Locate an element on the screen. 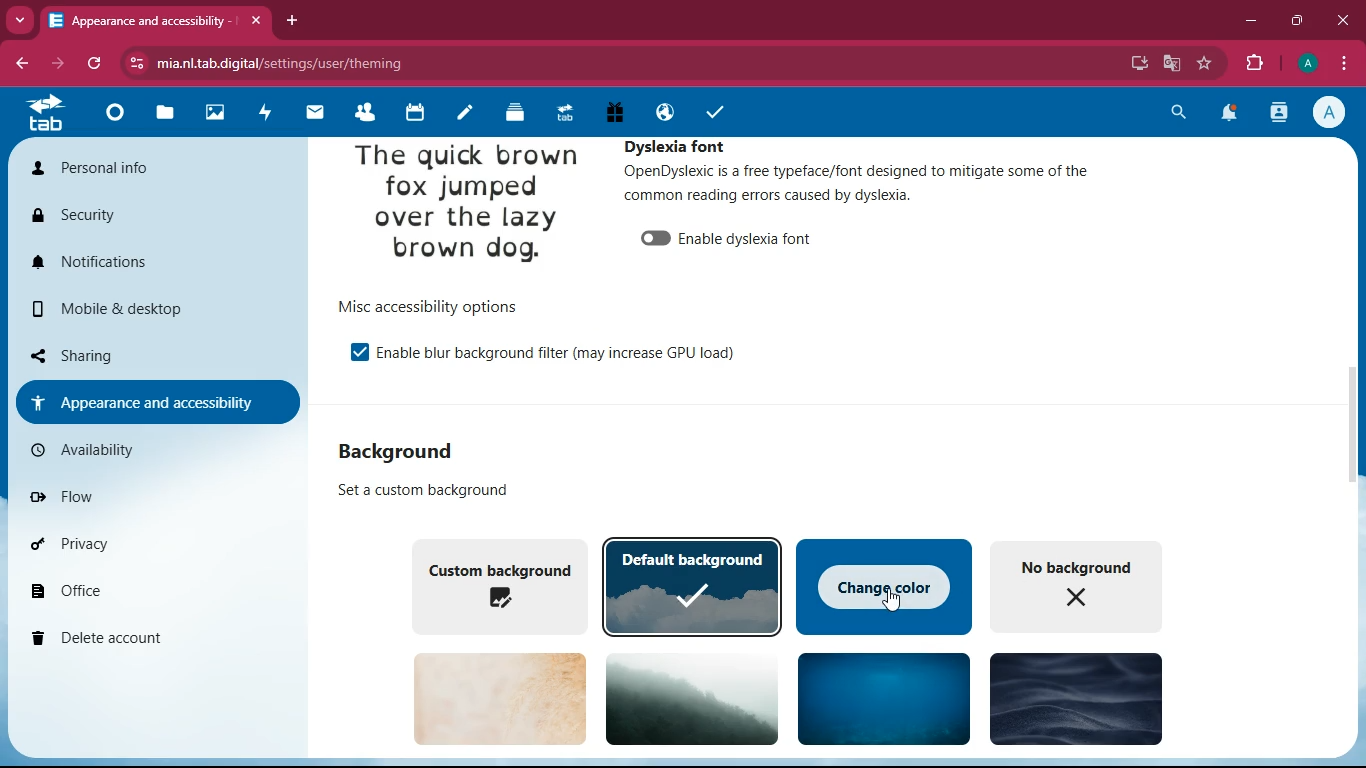 This screenshot has width=1366, height=768. minimize is located at coordinates (1252, 21).